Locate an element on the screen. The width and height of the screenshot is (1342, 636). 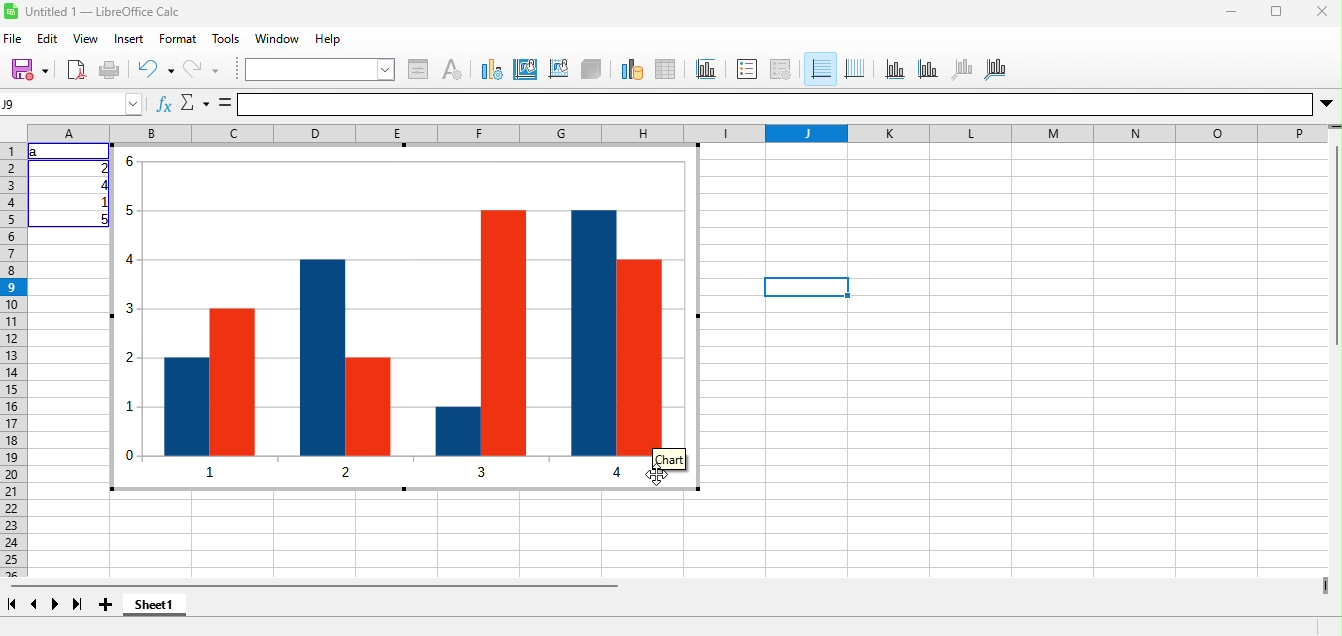
export directly as pdf is located at coordinates (77, 71).